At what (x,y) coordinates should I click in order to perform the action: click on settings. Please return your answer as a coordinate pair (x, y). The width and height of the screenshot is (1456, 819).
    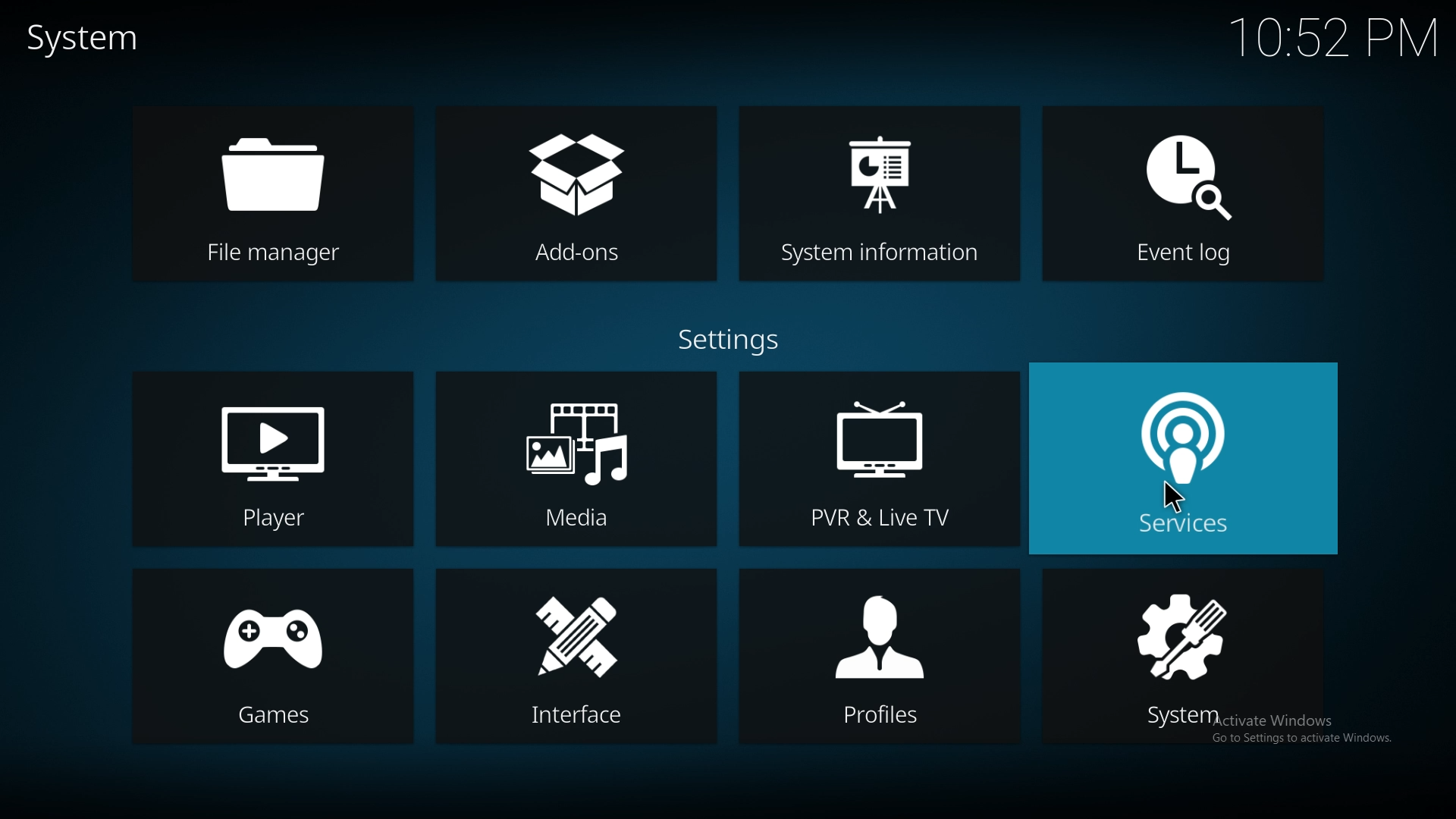
    Looking at the image, I should click on (736, 340).